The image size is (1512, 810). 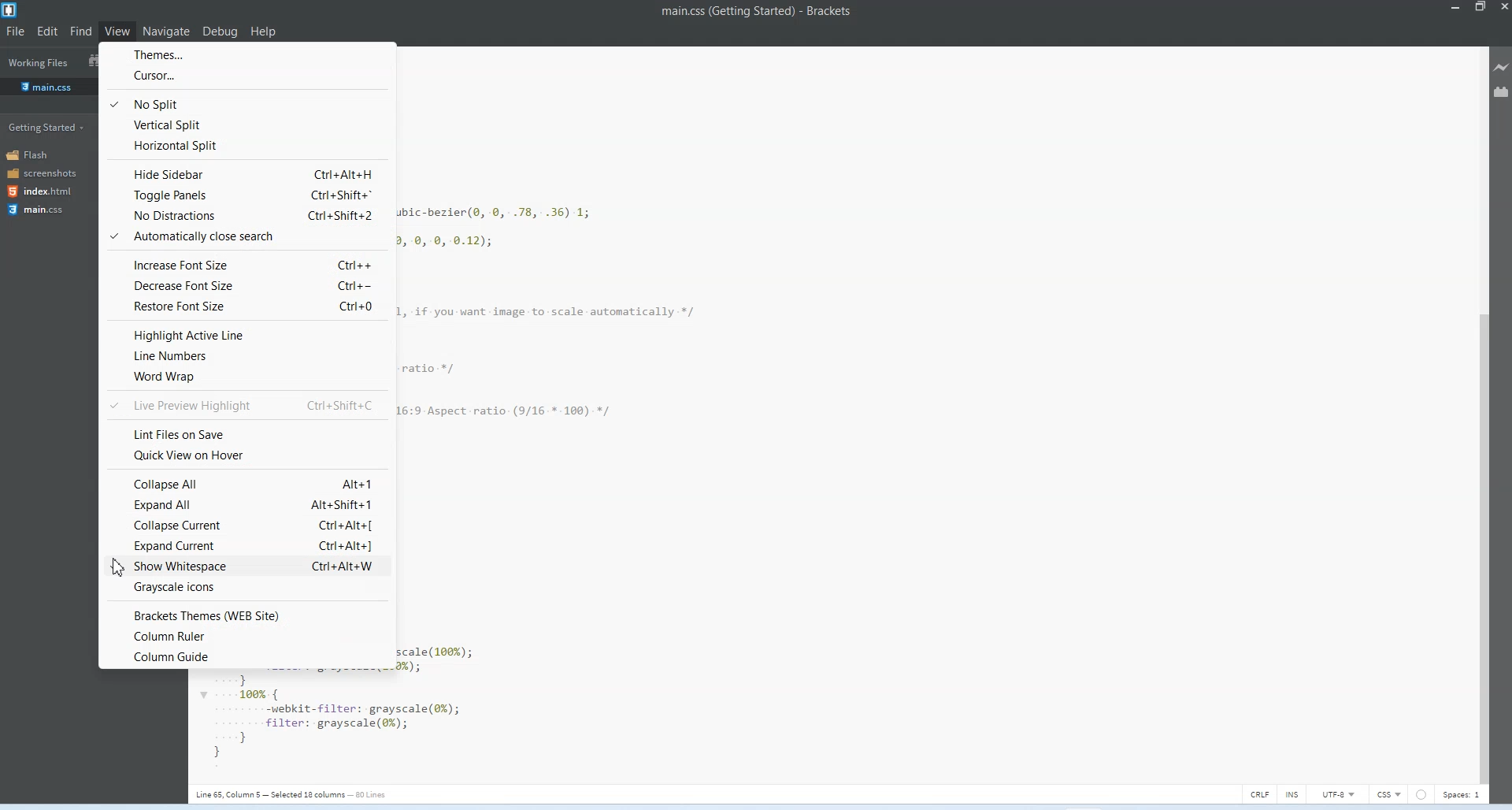 I want to click on File, so click(x=15, y=32).